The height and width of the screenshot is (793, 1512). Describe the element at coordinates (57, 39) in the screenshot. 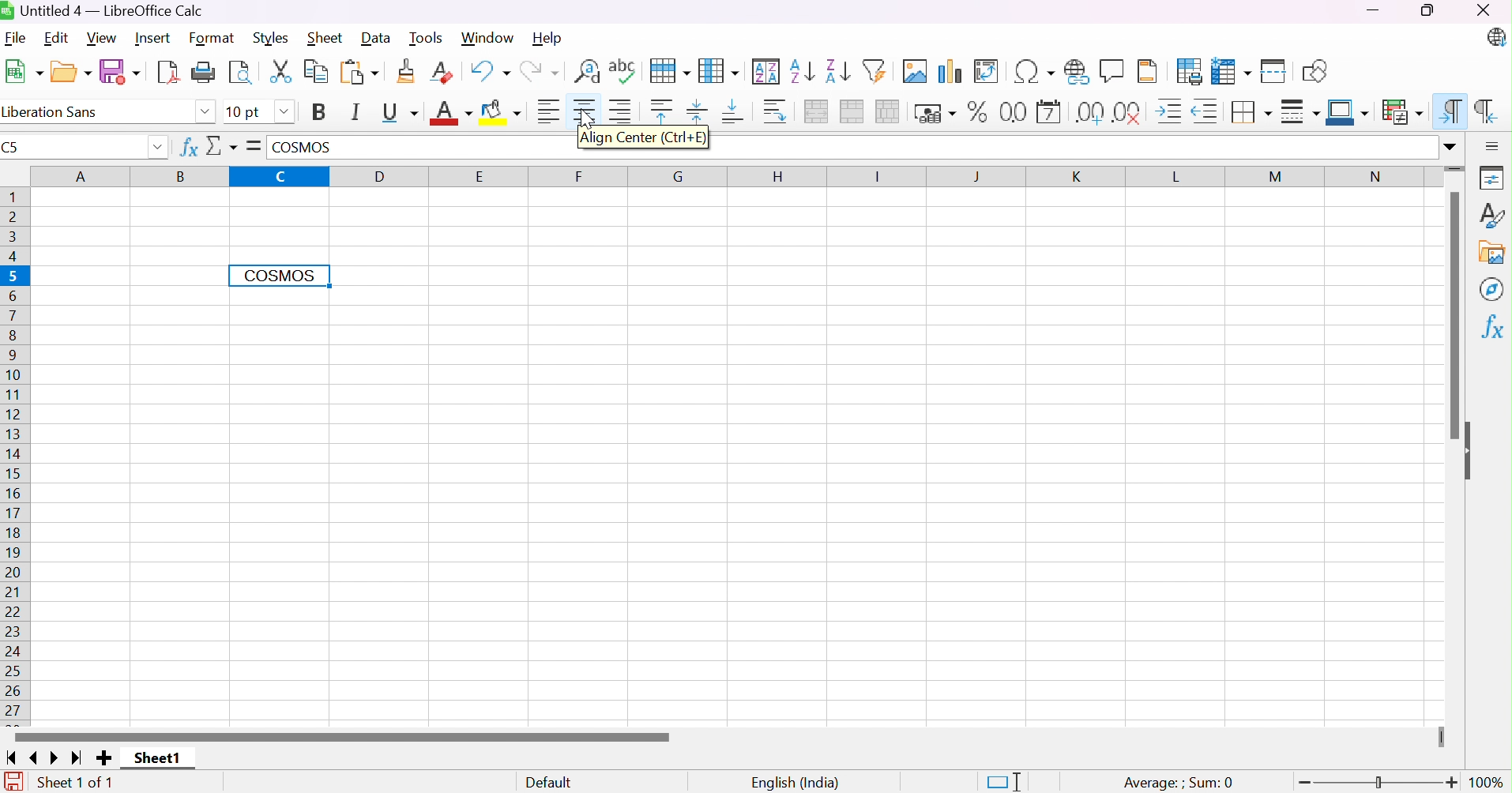

I see `Edit` at that location.